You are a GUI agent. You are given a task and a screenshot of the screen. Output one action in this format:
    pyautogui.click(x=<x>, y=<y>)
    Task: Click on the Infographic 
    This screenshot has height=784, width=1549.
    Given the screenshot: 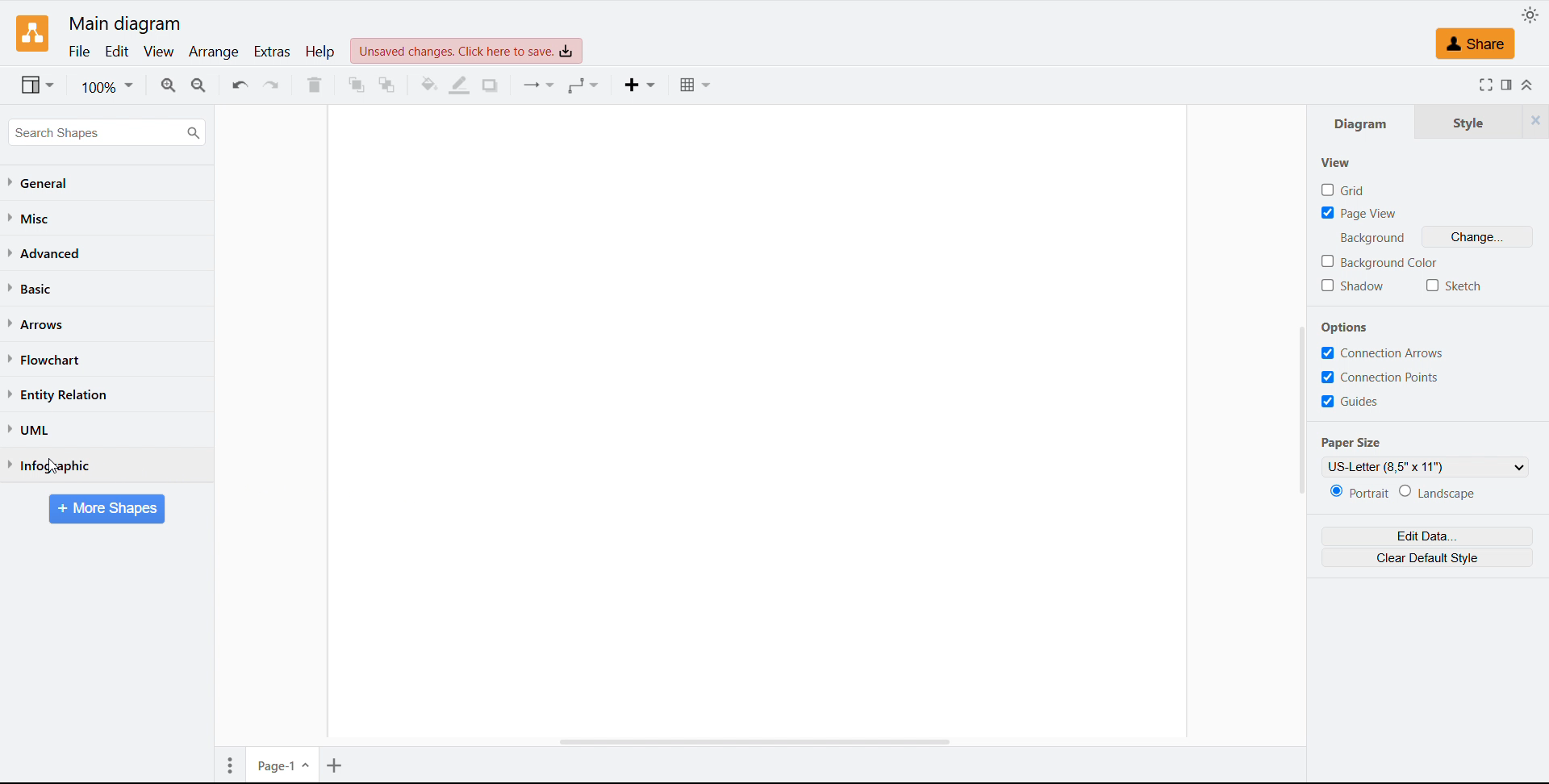 What is the action you would take?
    pyautogui.click(x=47, y=465)
    